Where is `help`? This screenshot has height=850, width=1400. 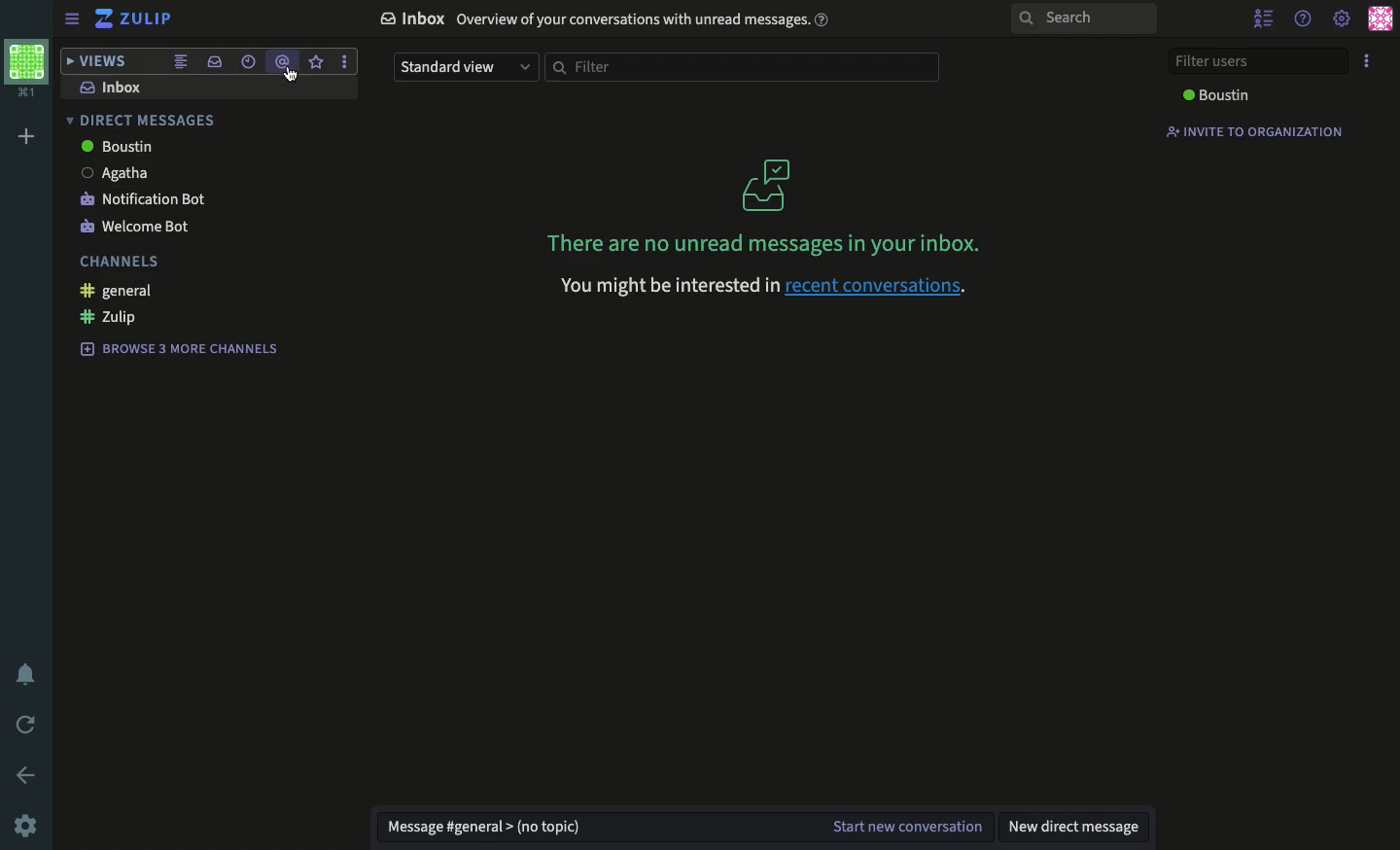 help is located at coordinates (1307, 20).